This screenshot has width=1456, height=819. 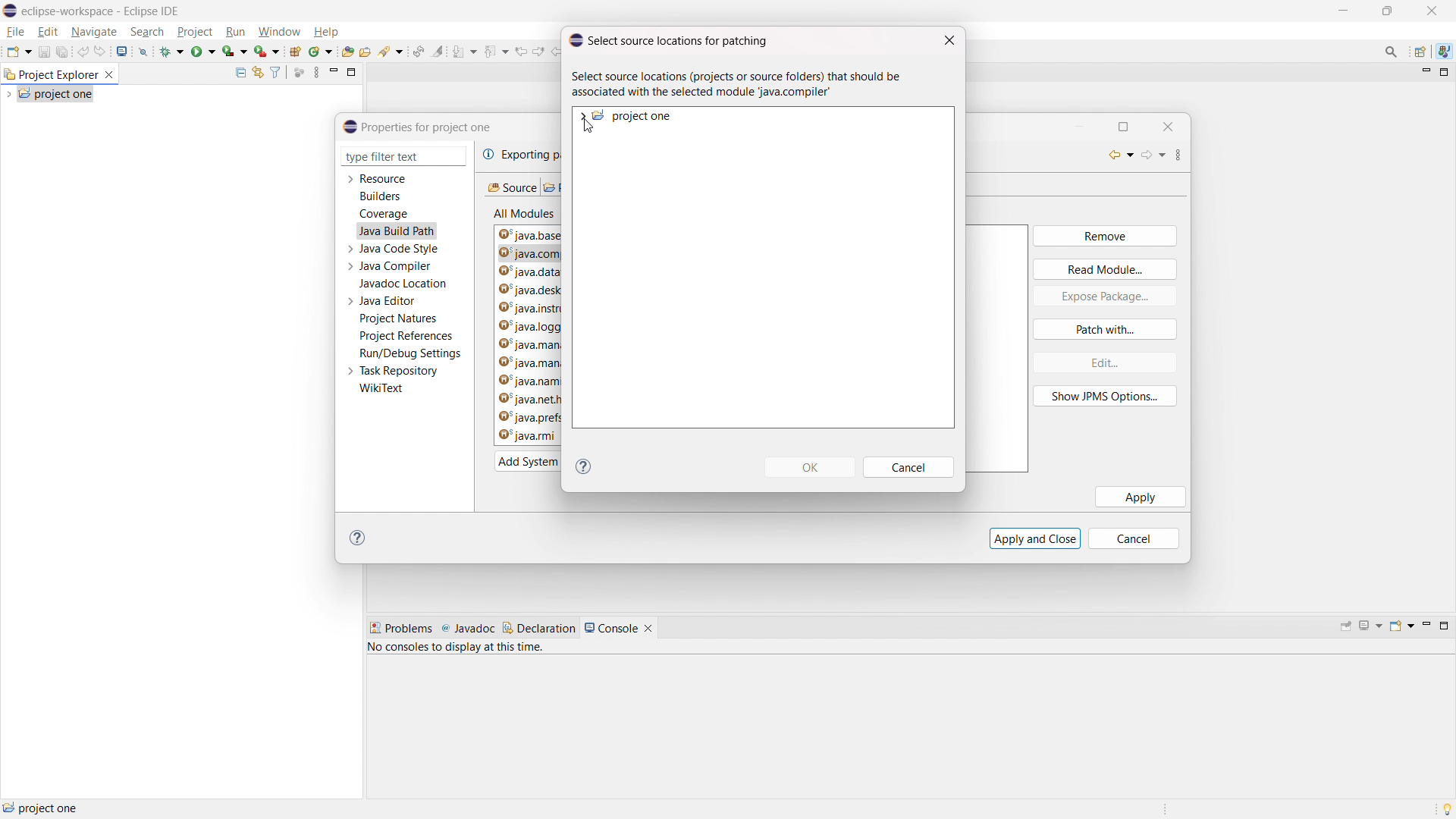 What do you see at coordinates (334, 72) in the screenshot?
I see `minimize` at bounding box center [334, 72].